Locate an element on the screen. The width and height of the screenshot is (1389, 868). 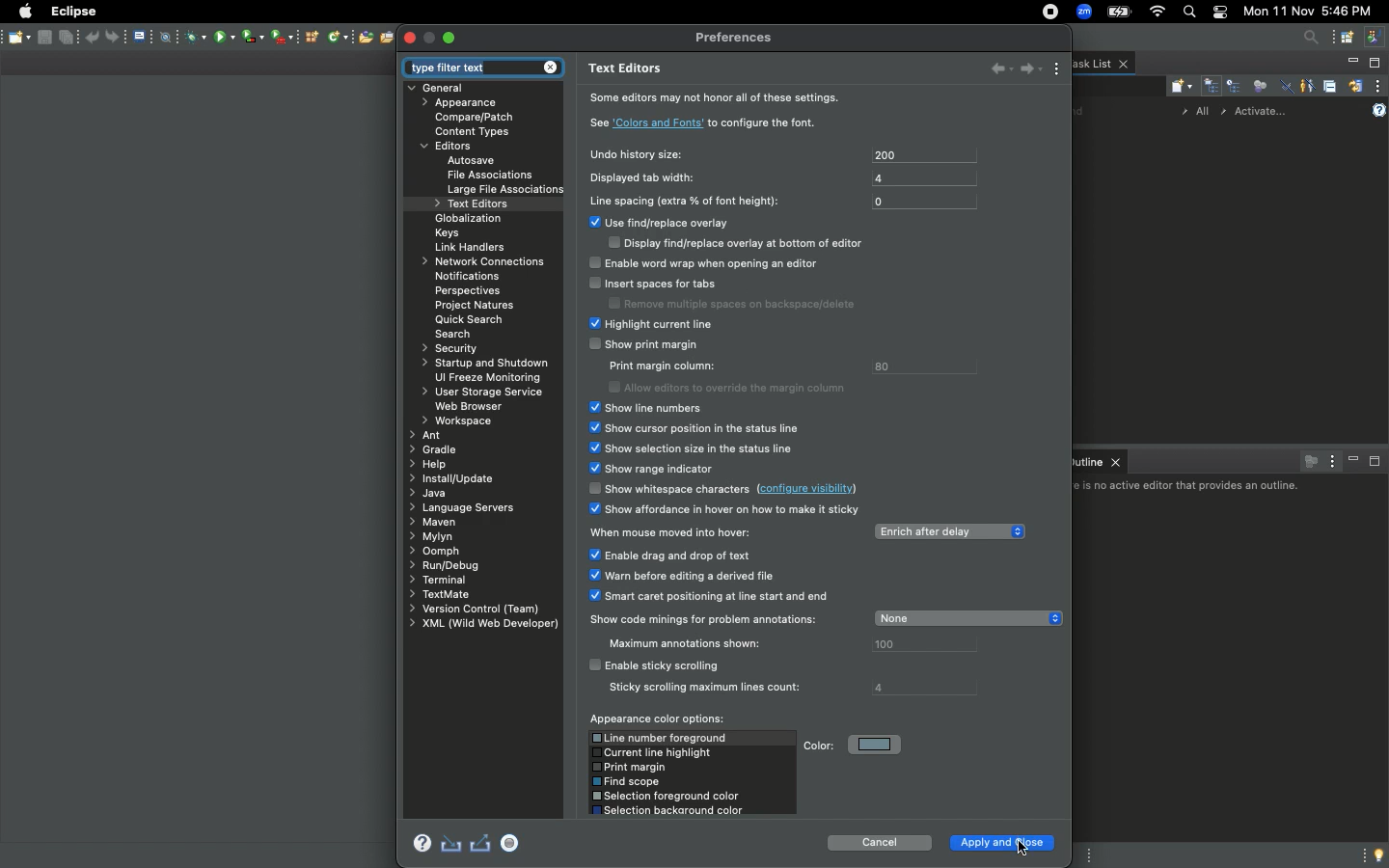
View menu is located at coordinates (1058, 68).